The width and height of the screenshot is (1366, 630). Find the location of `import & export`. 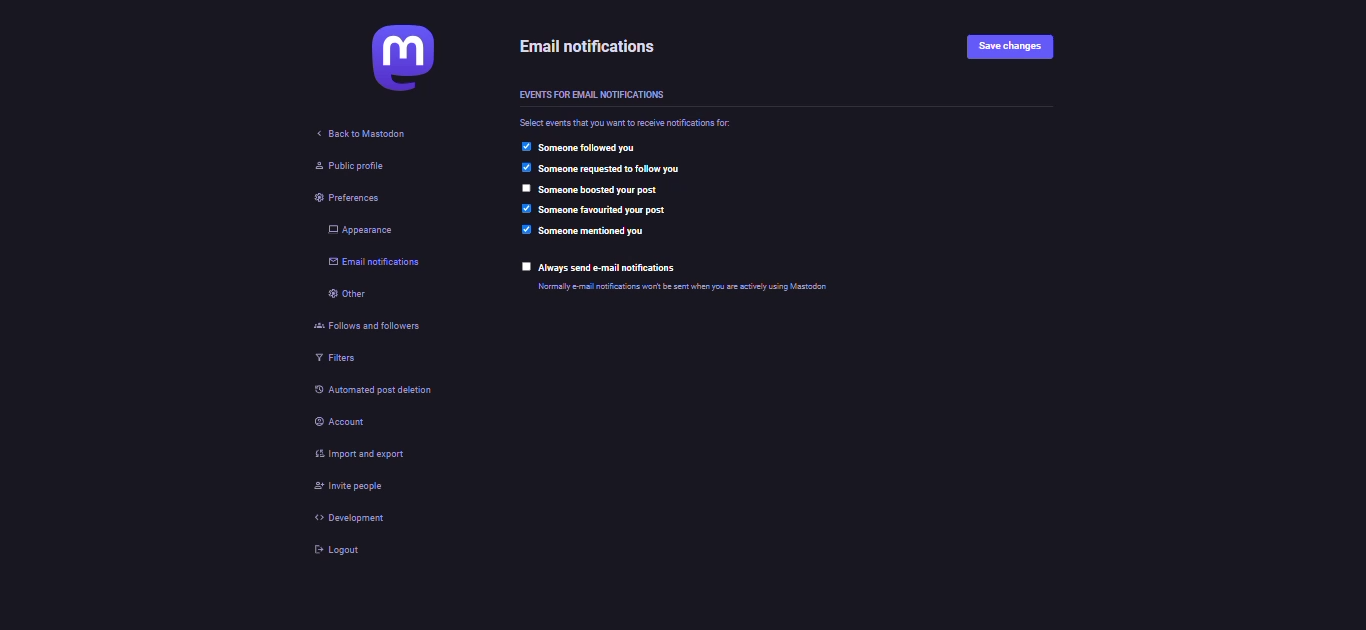

import & export is located at coordinates (364, 454).